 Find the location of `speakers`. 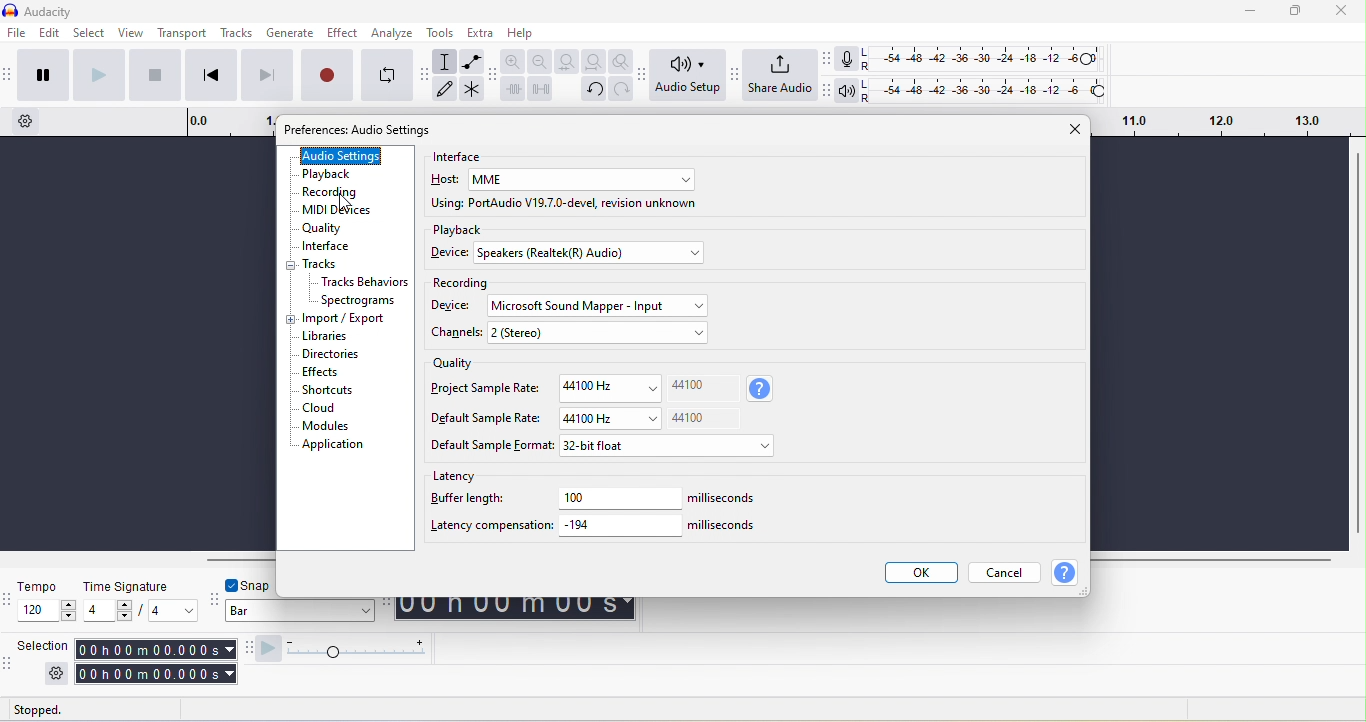

speakers is located at coordinates (599, 251).